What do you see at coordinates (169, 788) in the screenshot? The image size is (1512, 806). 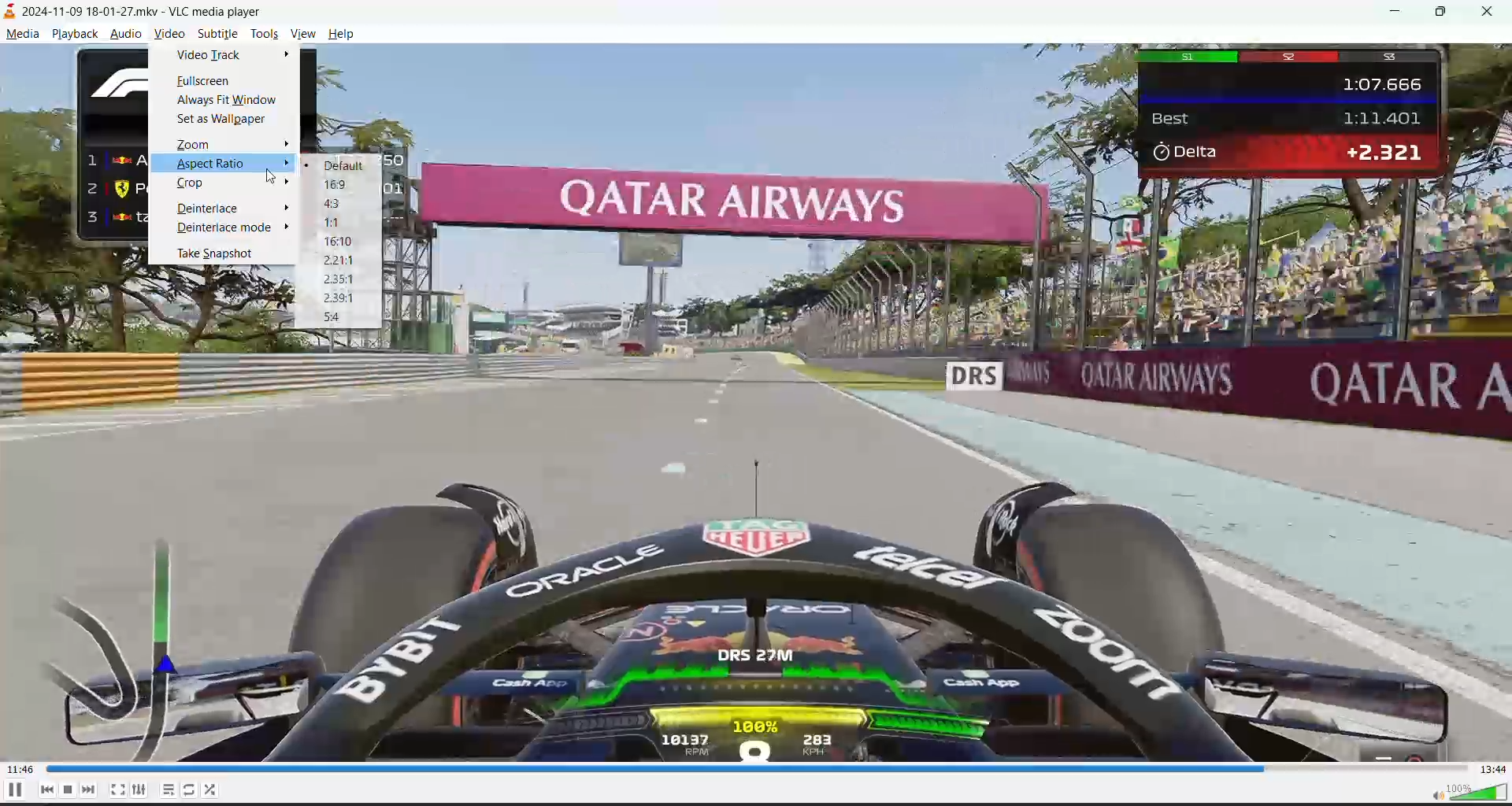 I see `playlists` at bounding box center [169, 788].